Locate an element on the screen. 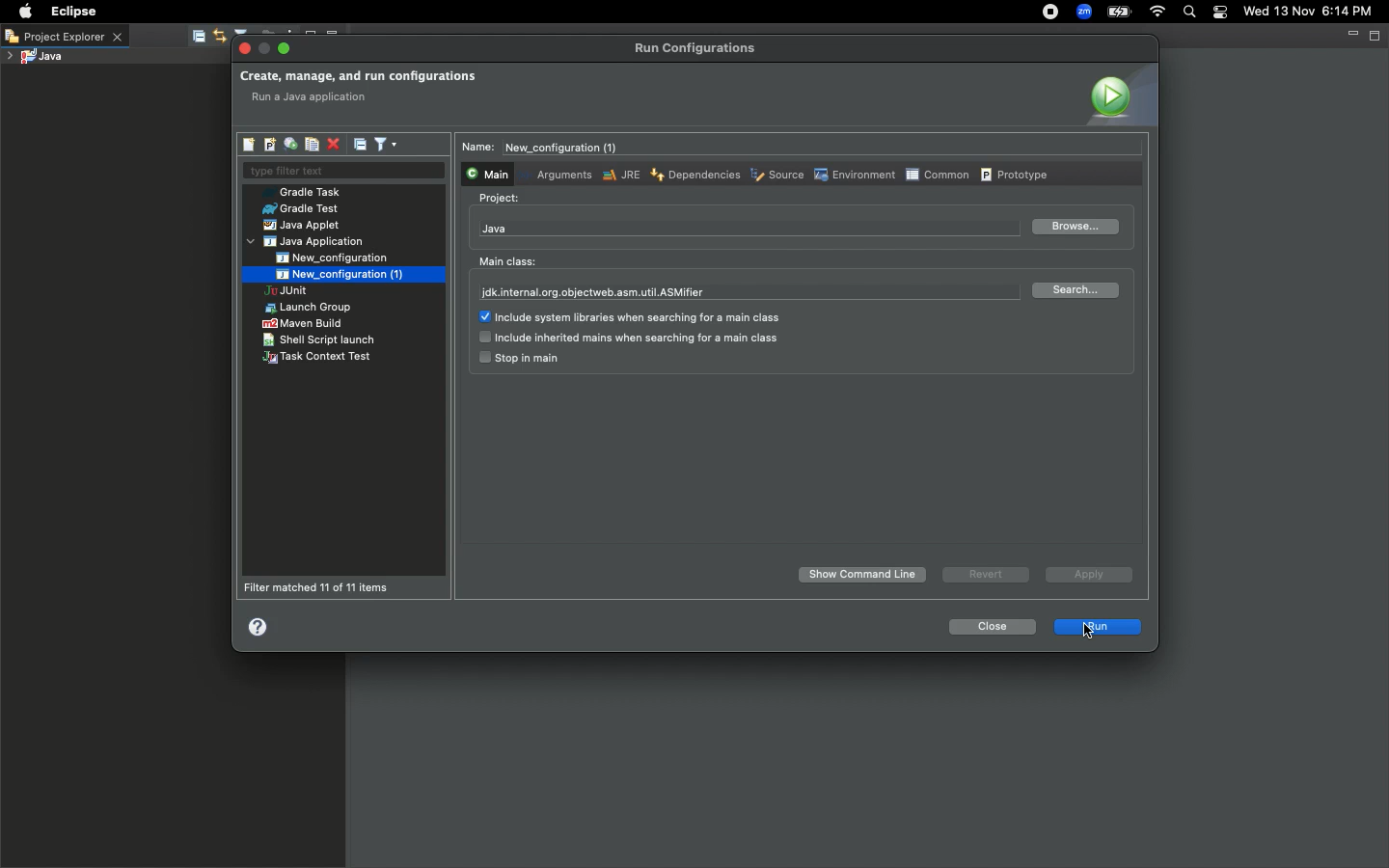 This screenshot has width=1389, height=868. Internet is located at coordinates (1156, 14).